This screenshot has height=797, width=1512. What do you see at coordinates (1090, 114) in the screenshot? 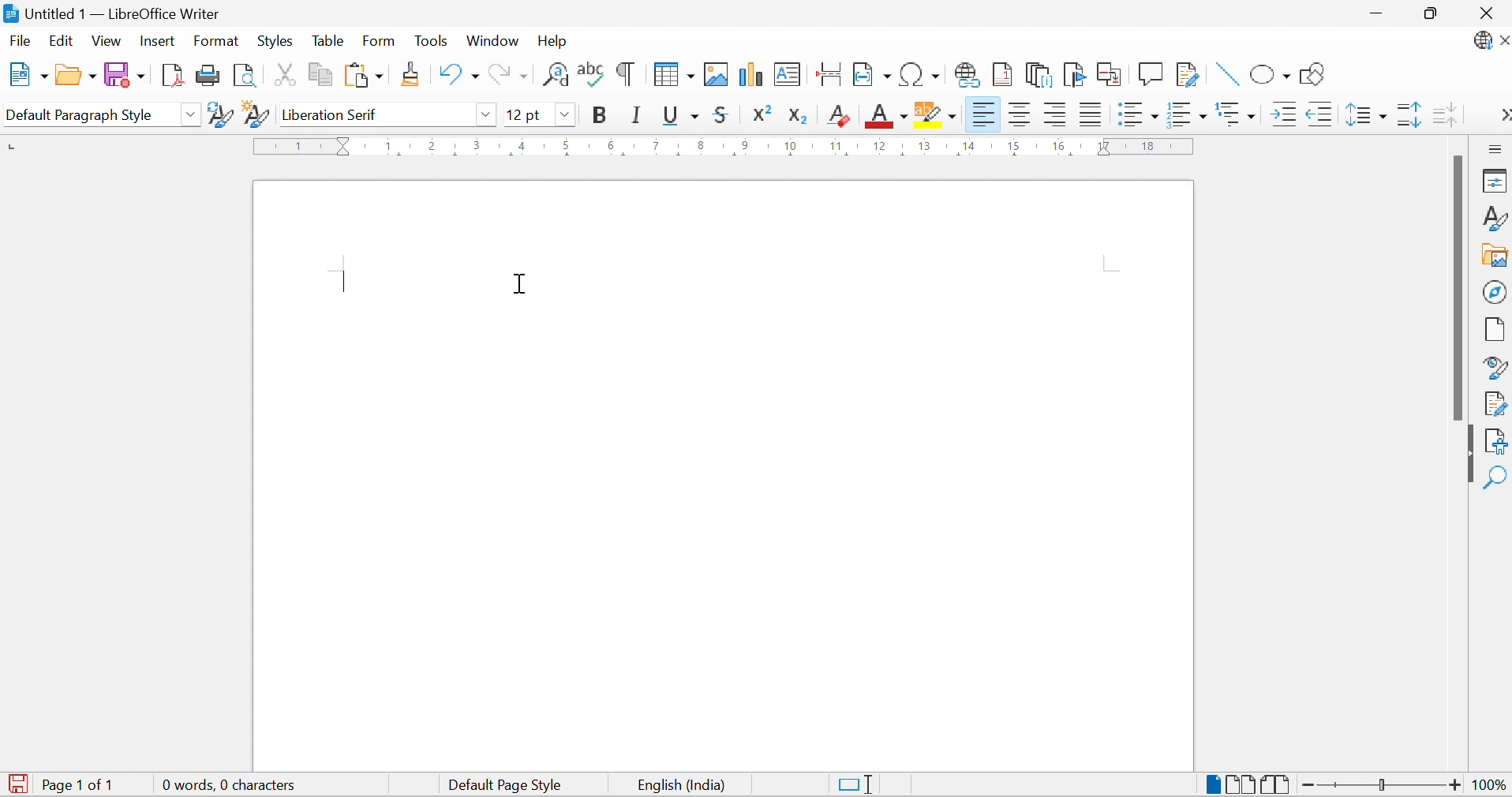
I see `Justified` at bounding box center [1090, 114].